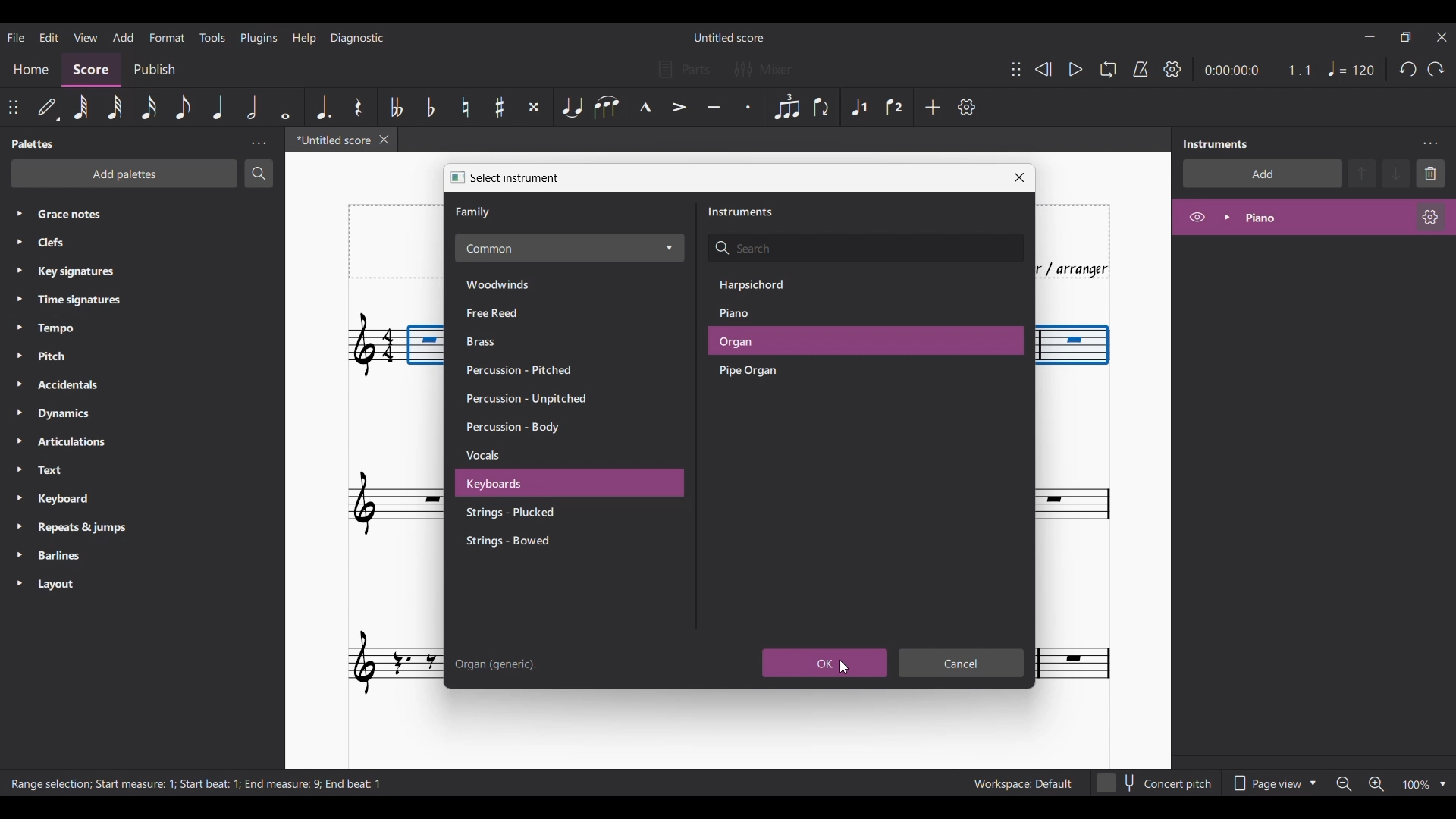 The image size is (1456, 819). What do you see at coordinates (34, 144) in the screenshot?
I see `Palette title` at bounding box center [34, 144].